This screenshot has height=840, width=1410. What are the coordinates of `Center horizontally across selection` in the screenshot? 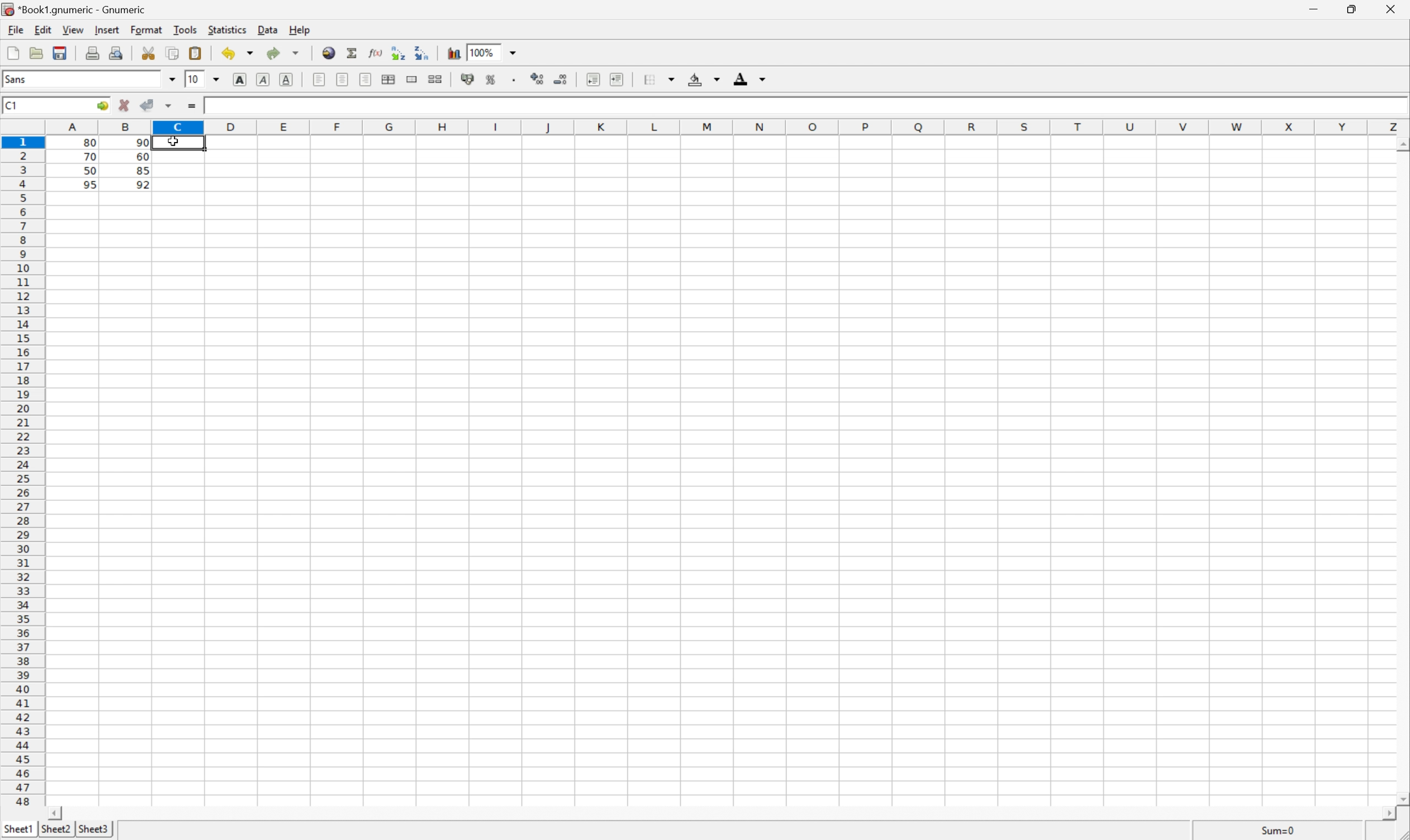 It's located at (391, 78).